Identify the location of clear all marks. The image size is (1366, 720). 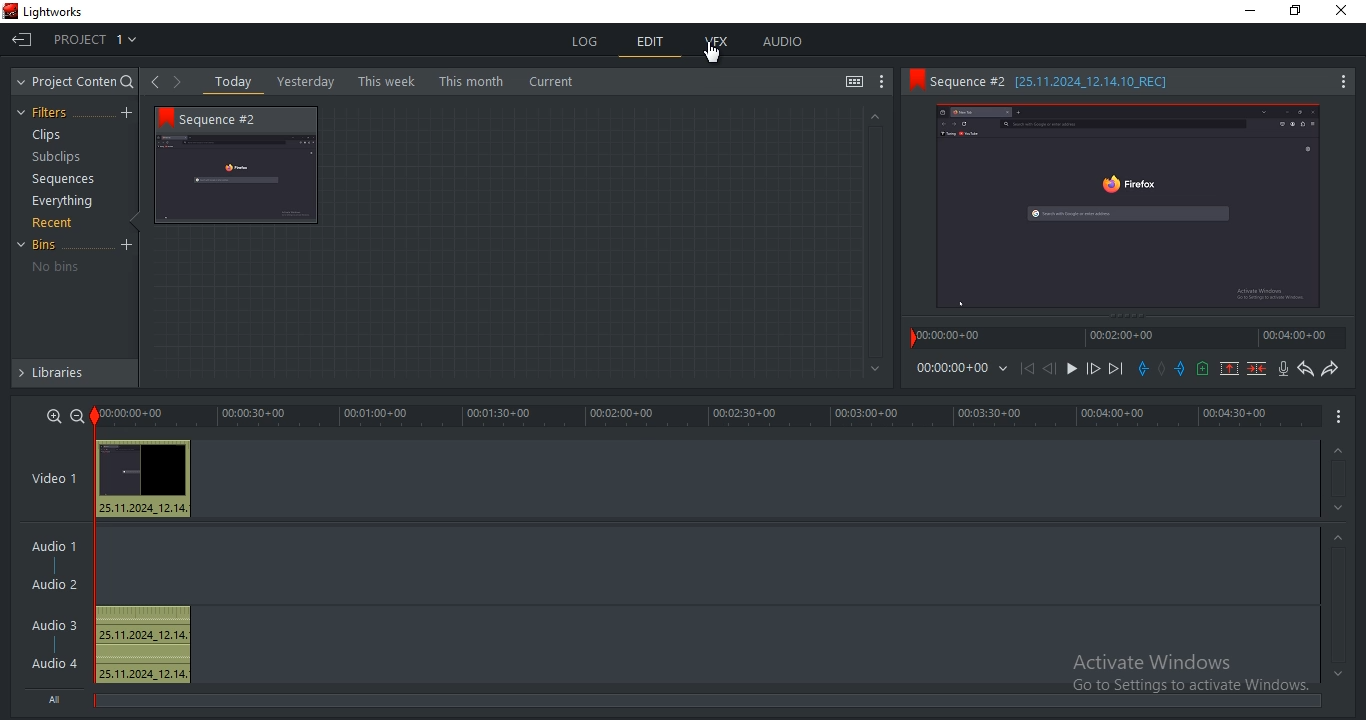
(1160, 370).